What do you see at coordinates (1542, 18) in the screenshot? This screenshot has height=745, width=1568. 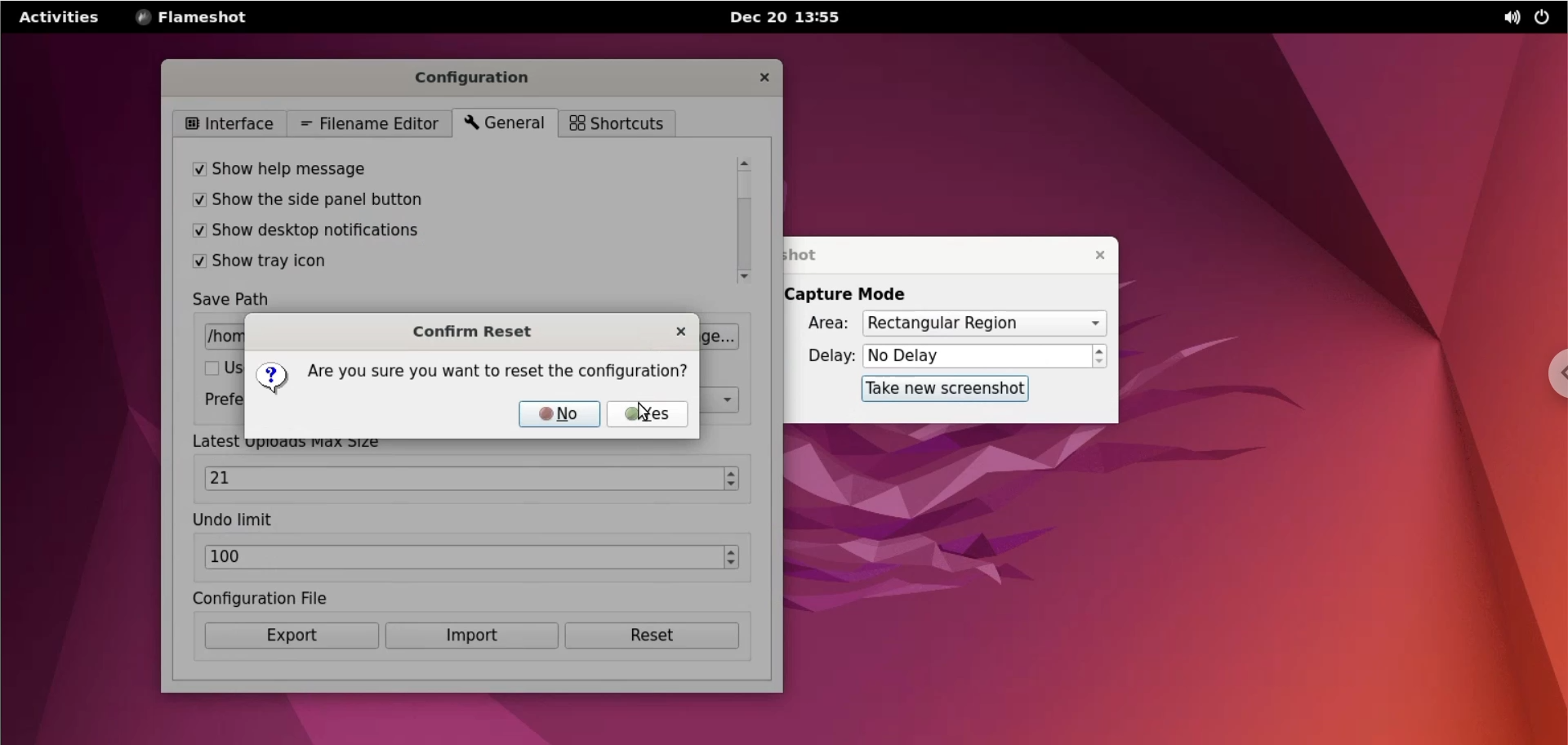 I see `power options` at bounding box center [1542, 18].